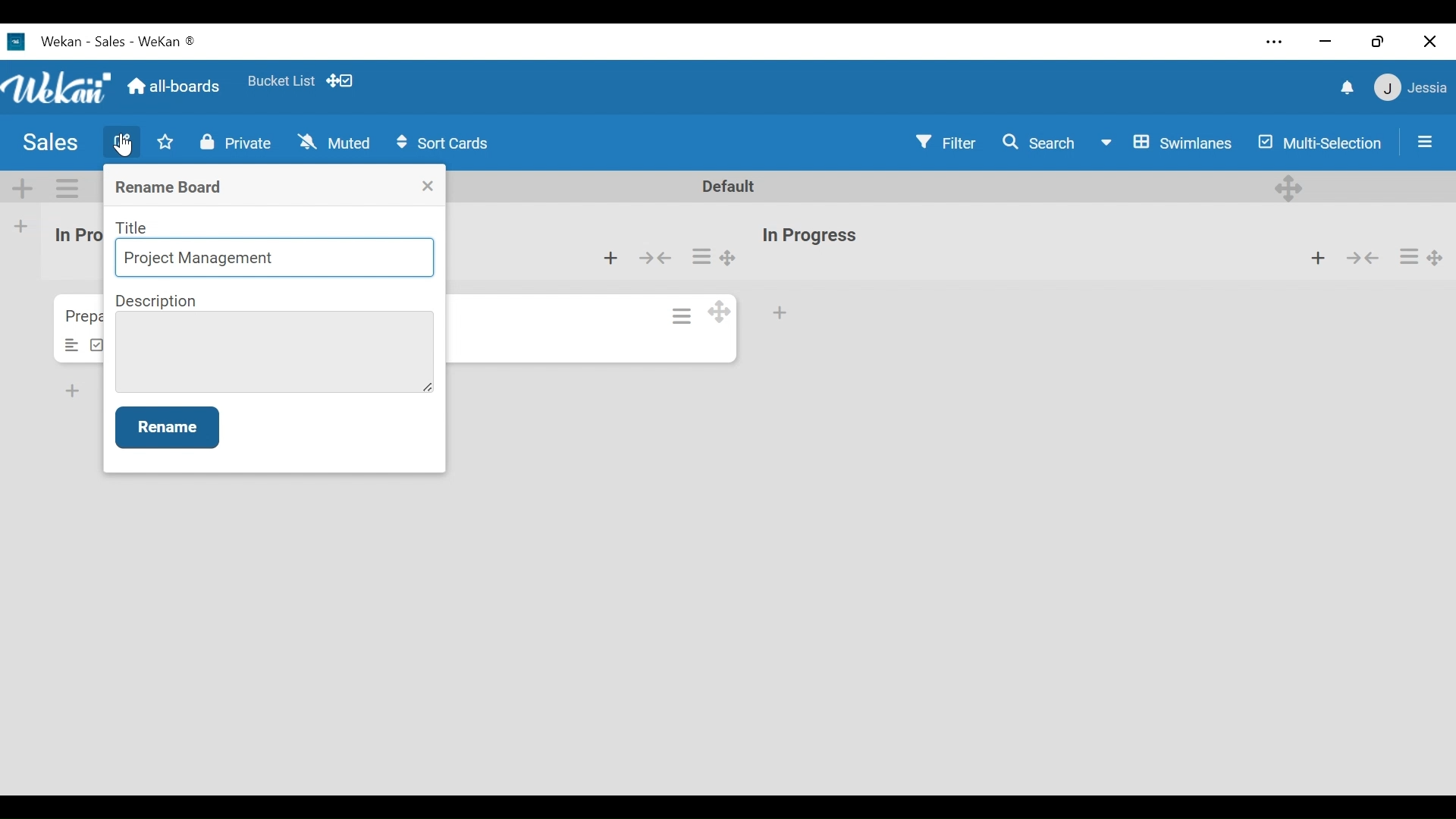 This screenshot has width=1456, height=819. What do you see at coordinates (1423, 142) in the screenshot?
I see `Sidebar` at bounding box center [1423, 142].